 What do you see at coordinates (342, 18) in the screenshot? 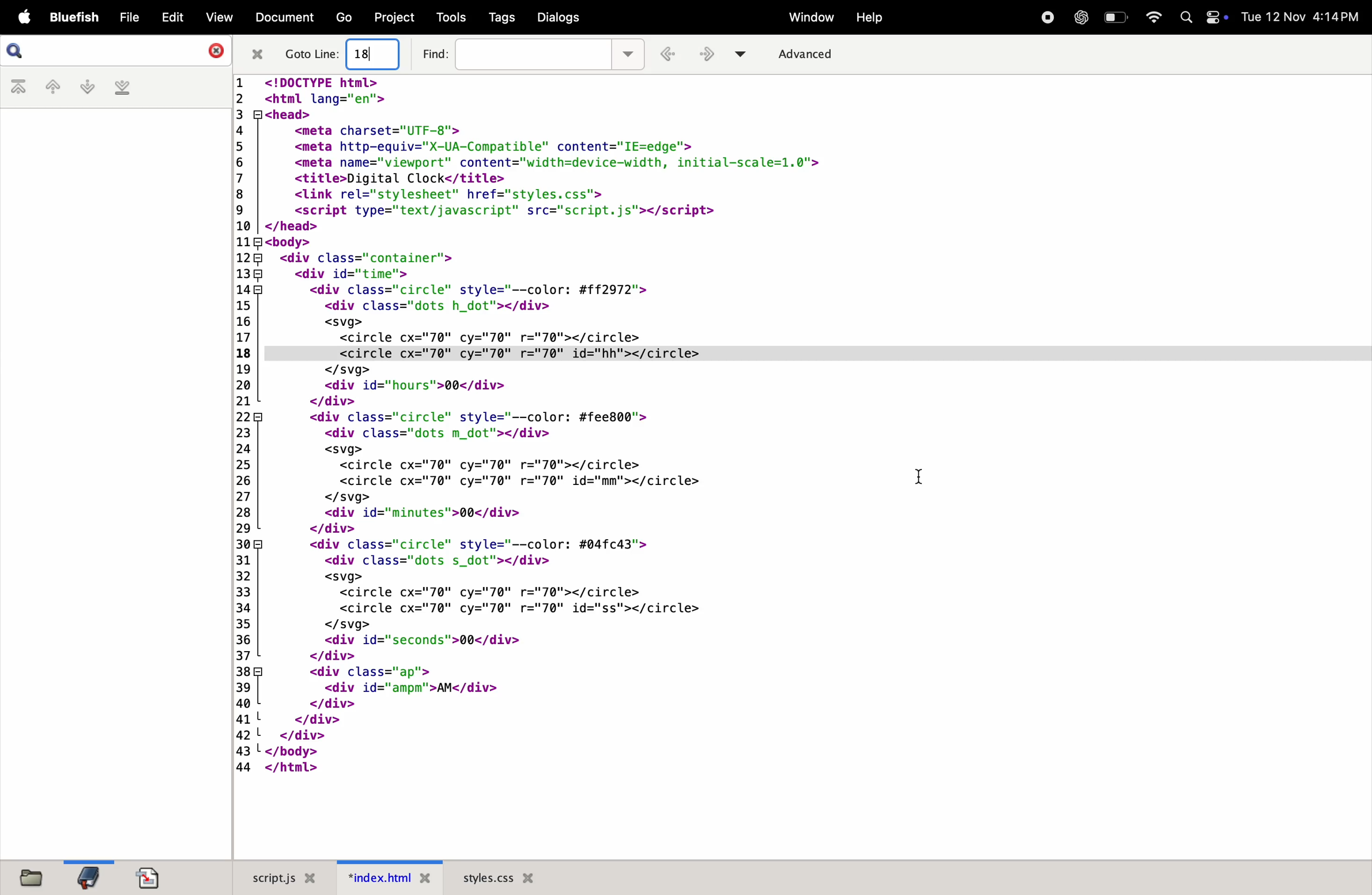
I see `go` at bounding box center [342, 18].